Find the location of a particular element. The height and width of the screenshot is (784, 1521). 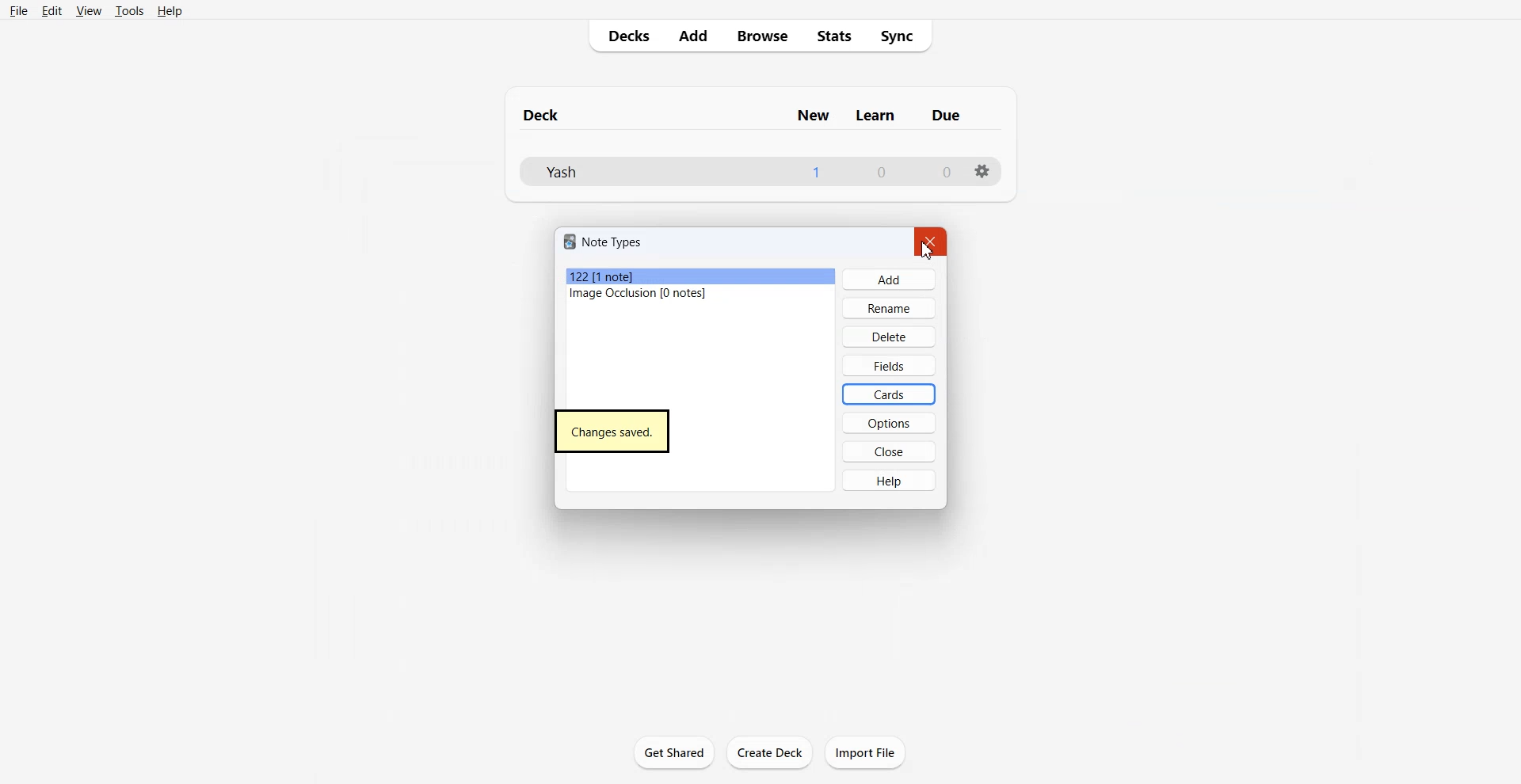

Edit is located at coordinates (51, 10).